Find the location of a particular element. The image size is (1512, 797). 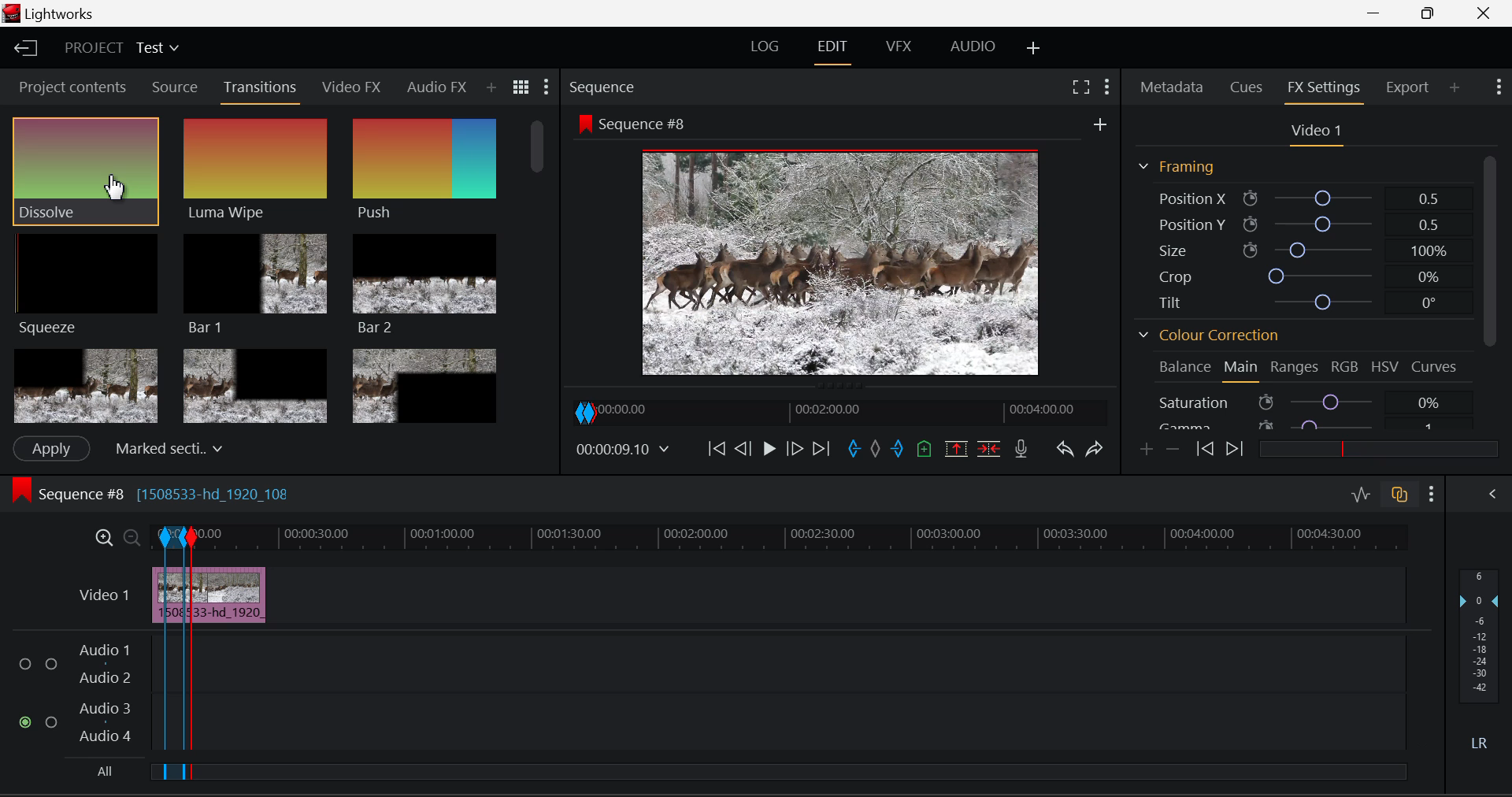

Audio Input Field is located at coordinates (798, 724).